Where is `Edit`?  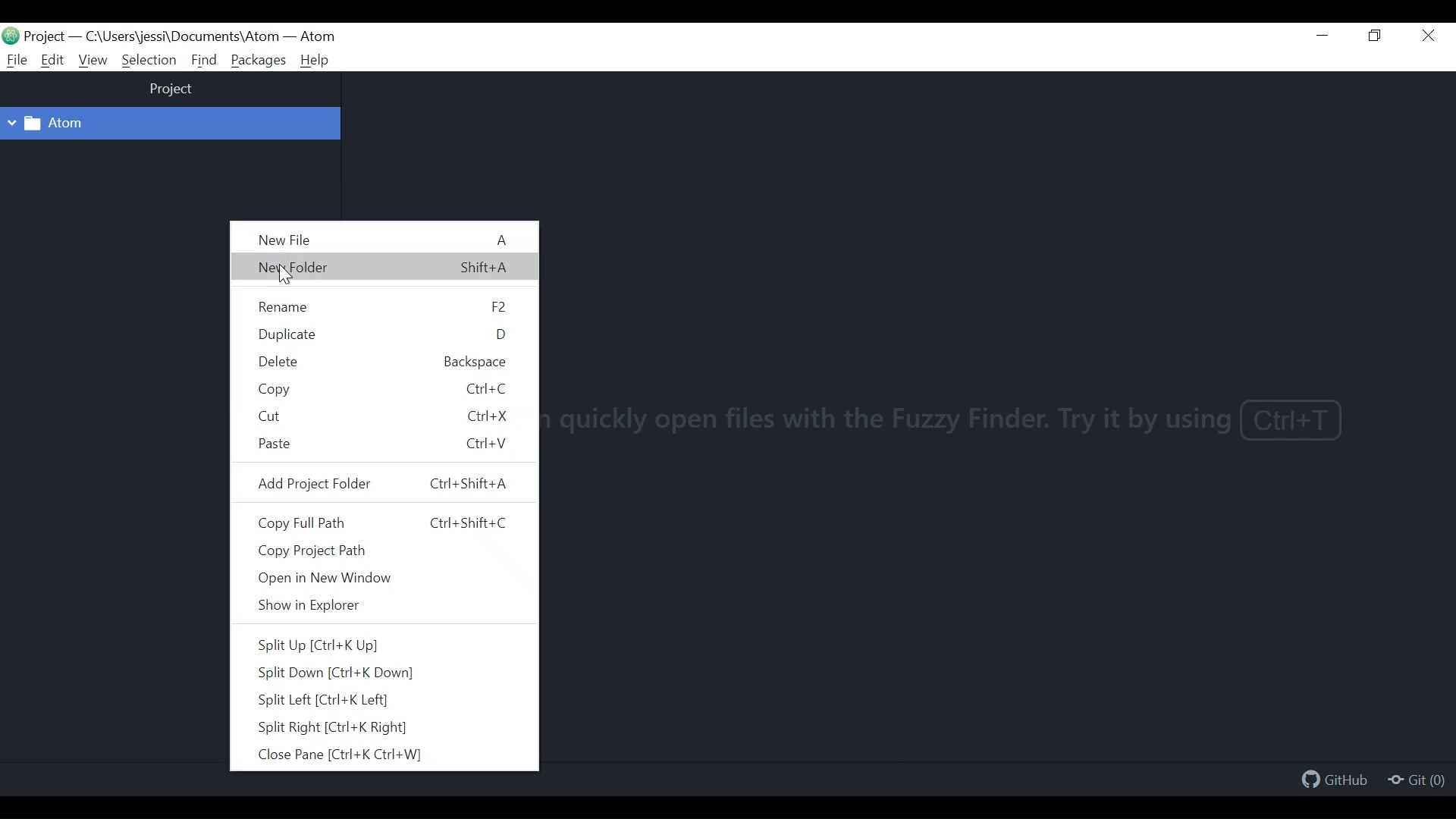 Edit is located at coordinates (53, 60).